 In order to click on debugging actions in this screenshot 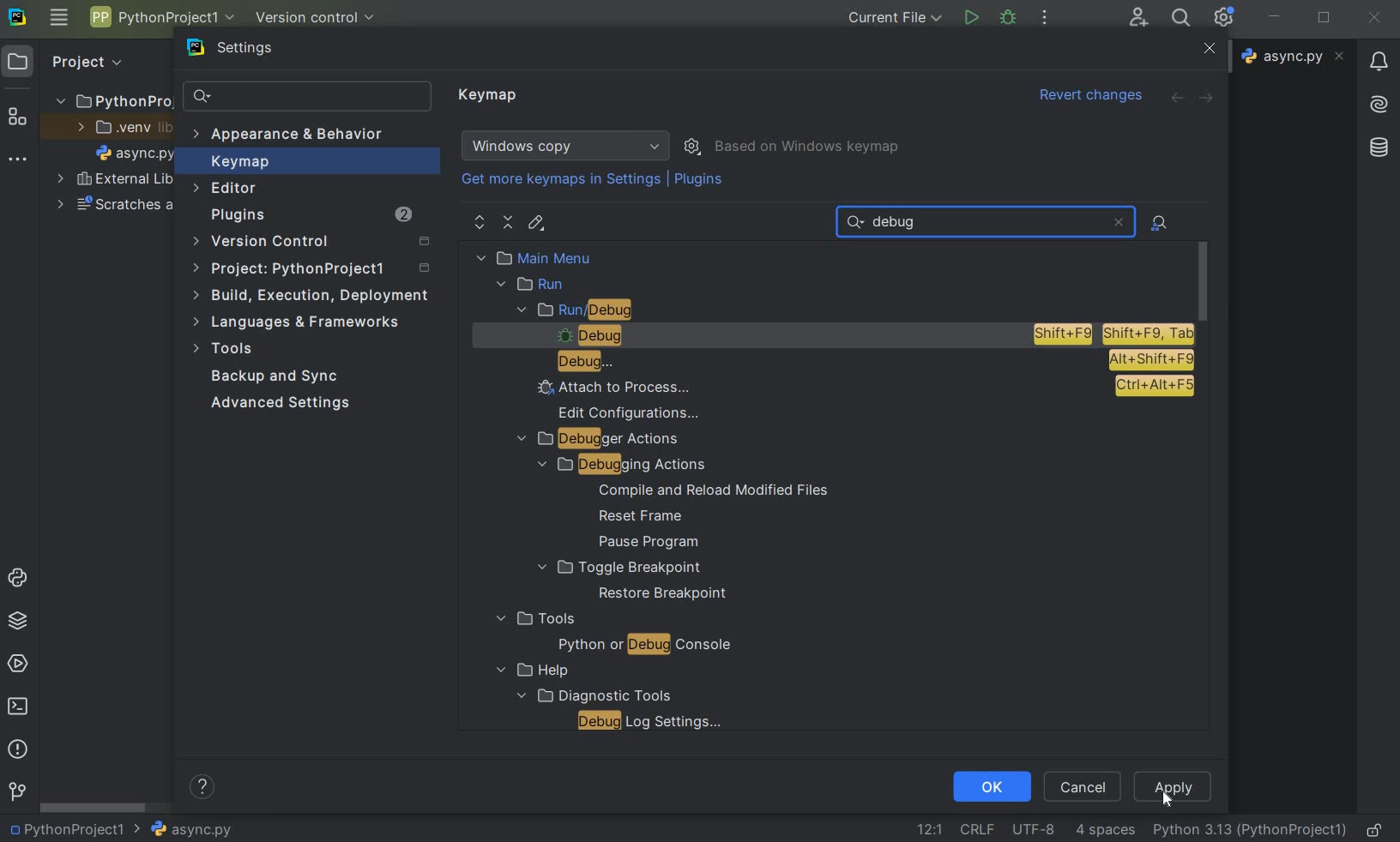, I will do `click(614, 465)`.